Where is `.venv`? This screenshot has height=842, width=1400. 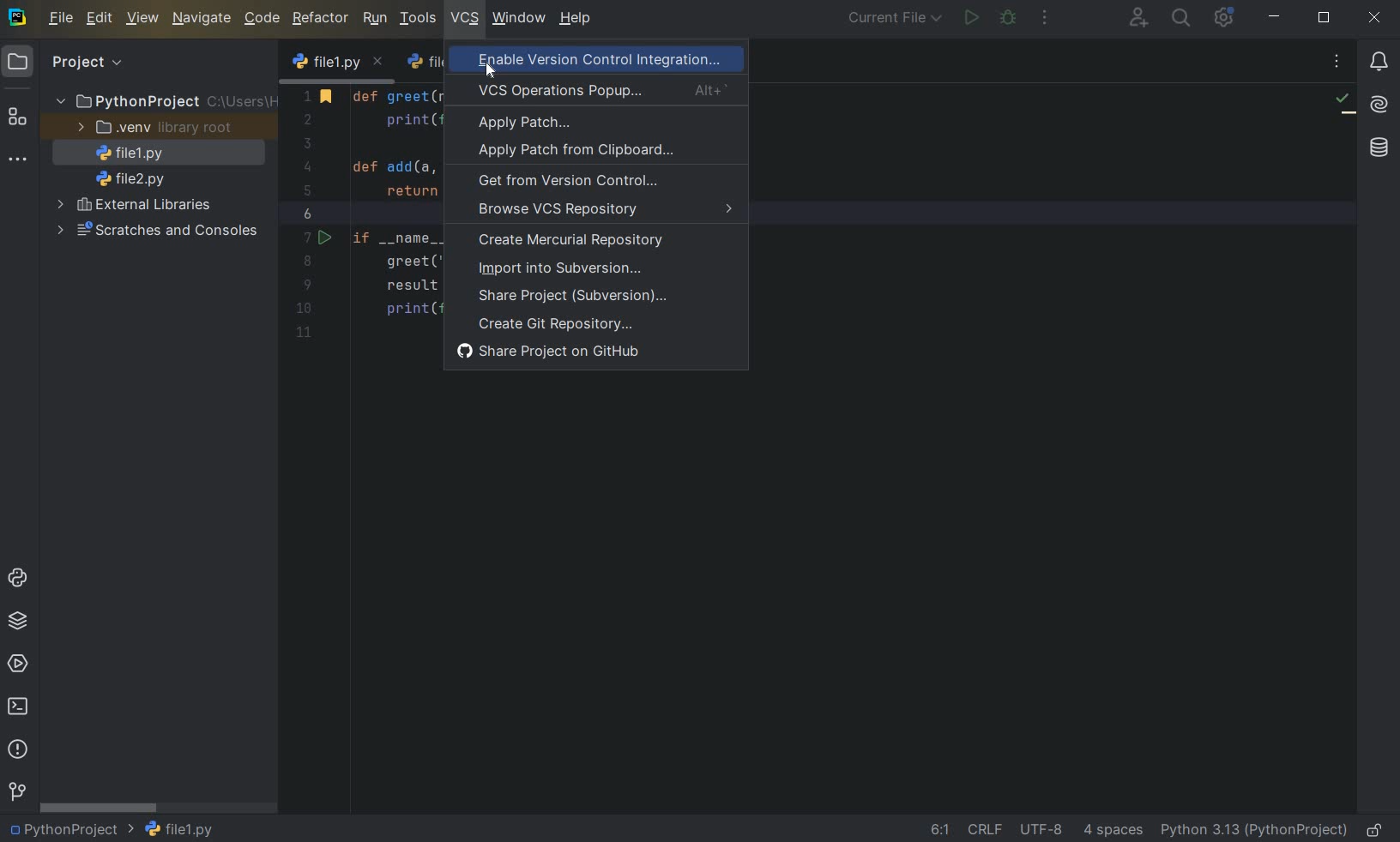
.venv is located at coordinates (152, 128).